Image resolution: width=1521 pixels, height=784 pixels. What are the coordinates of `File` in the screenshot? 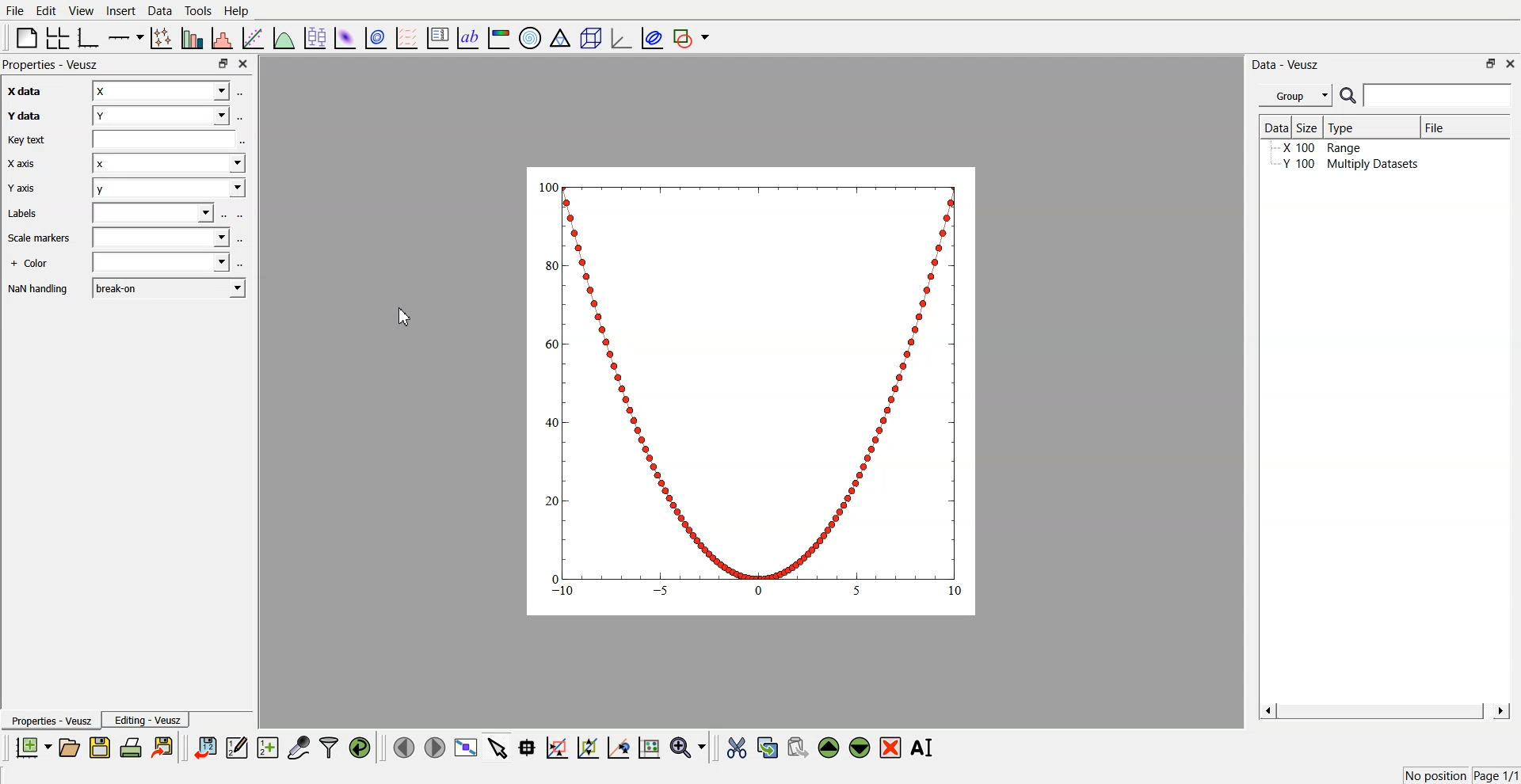 It's located at (16, 11).